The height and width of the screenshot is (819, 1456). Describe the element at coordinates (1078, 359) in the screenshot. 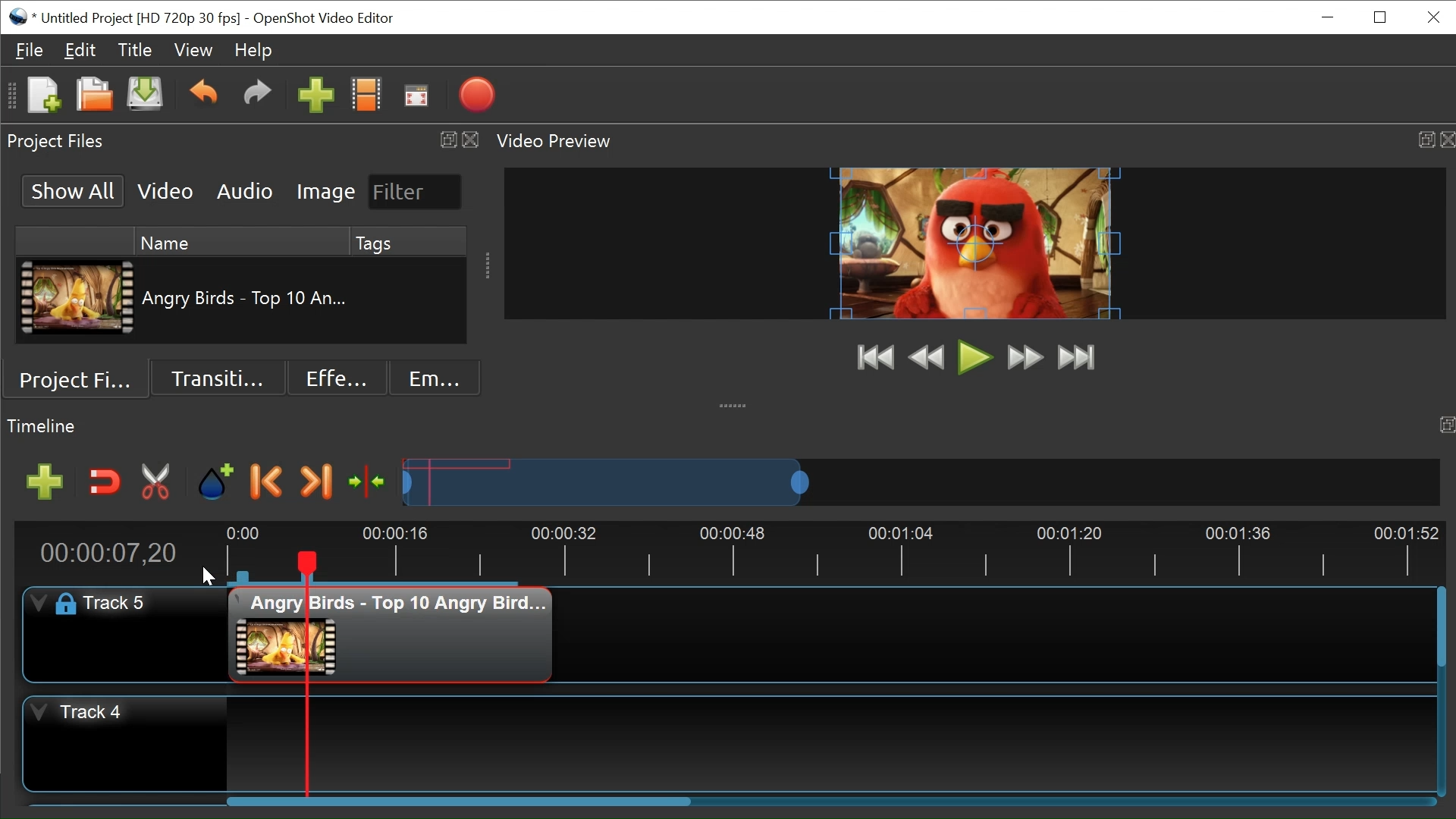

I see `Jump to End` at that location.